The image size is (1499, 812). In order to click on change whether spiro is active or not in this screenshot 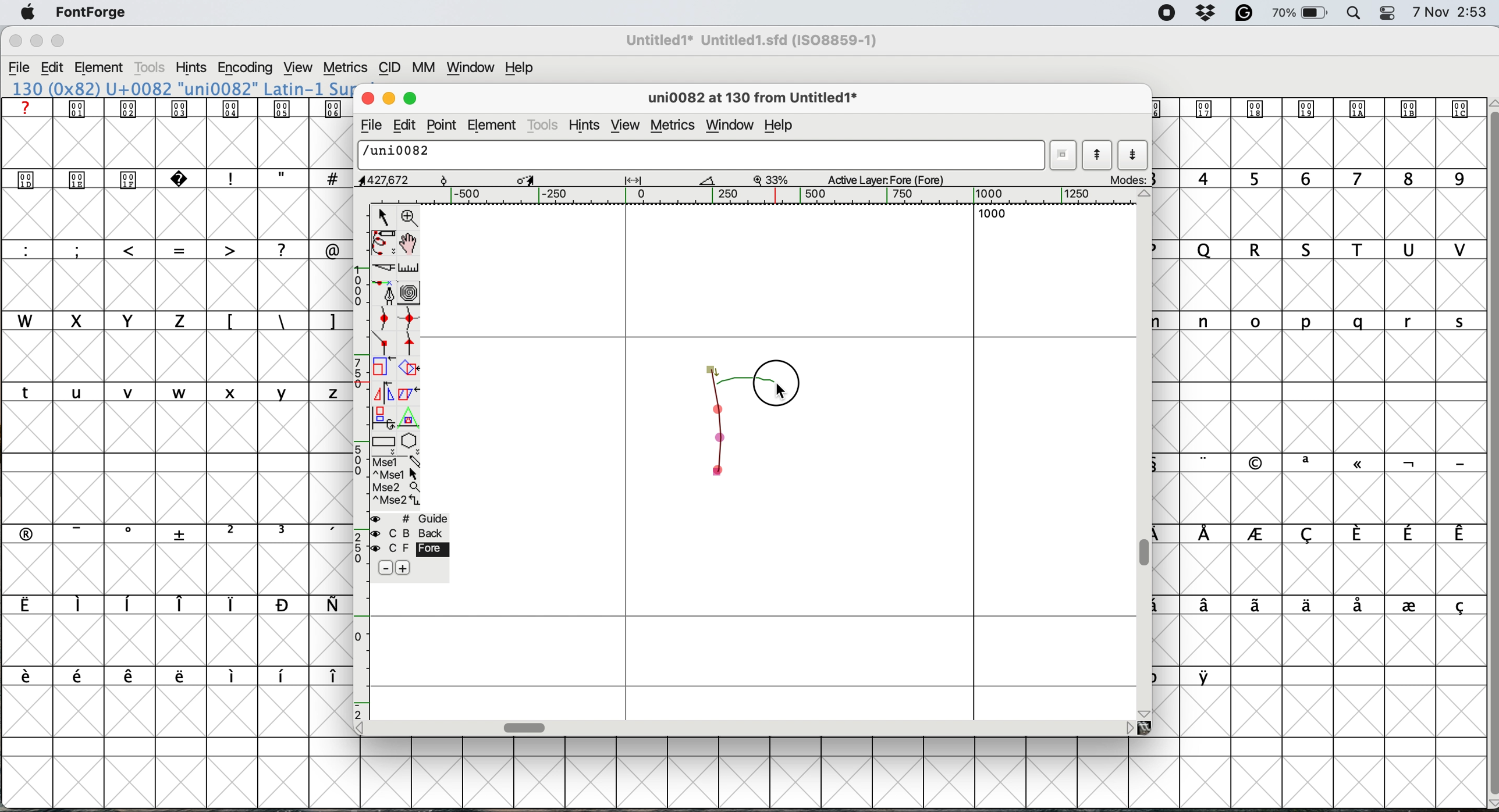, I will do `click(413, 294)`.